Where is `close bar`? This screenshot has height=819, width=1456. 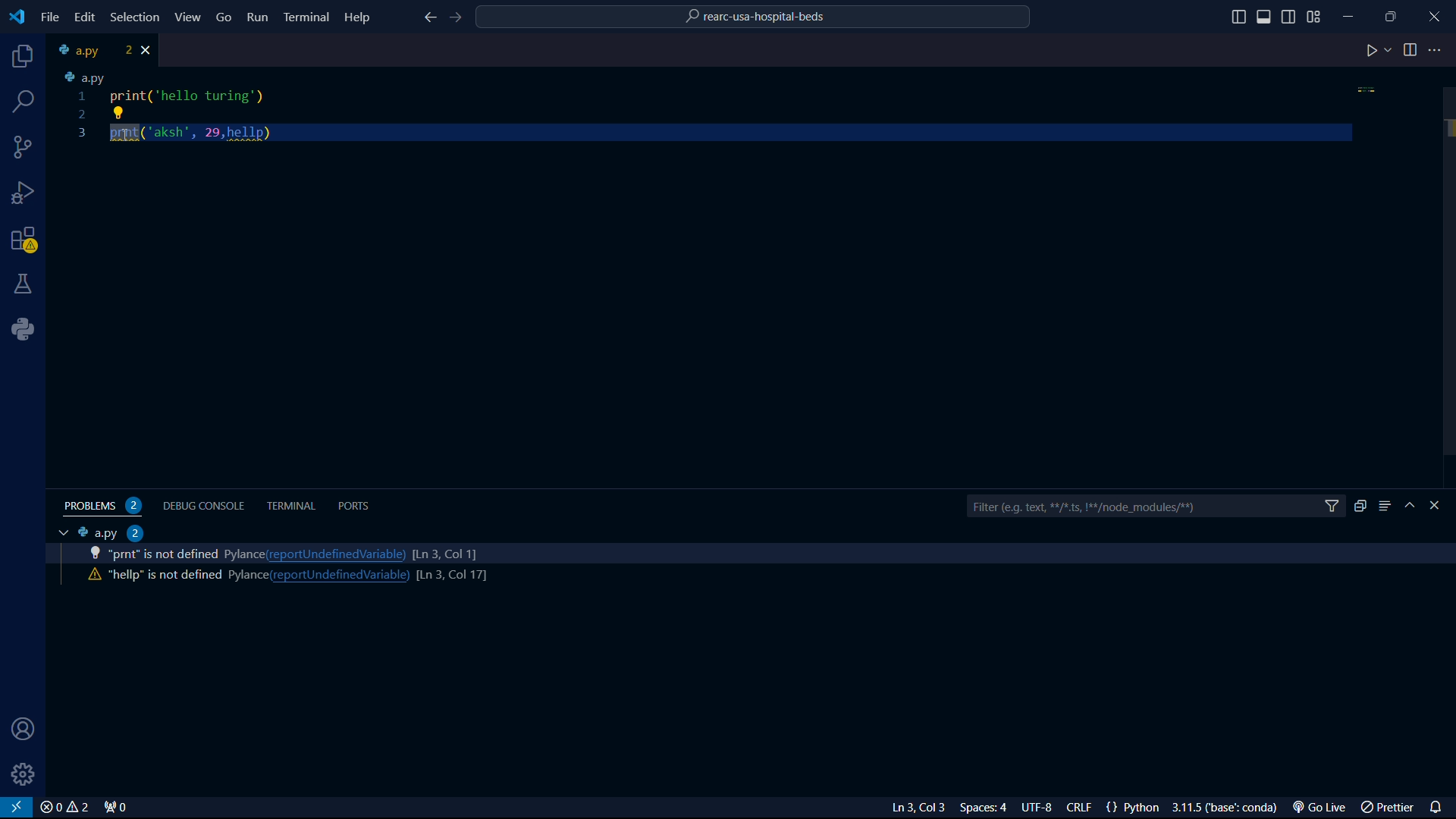 close bar is located at coordinates (1442, 506).